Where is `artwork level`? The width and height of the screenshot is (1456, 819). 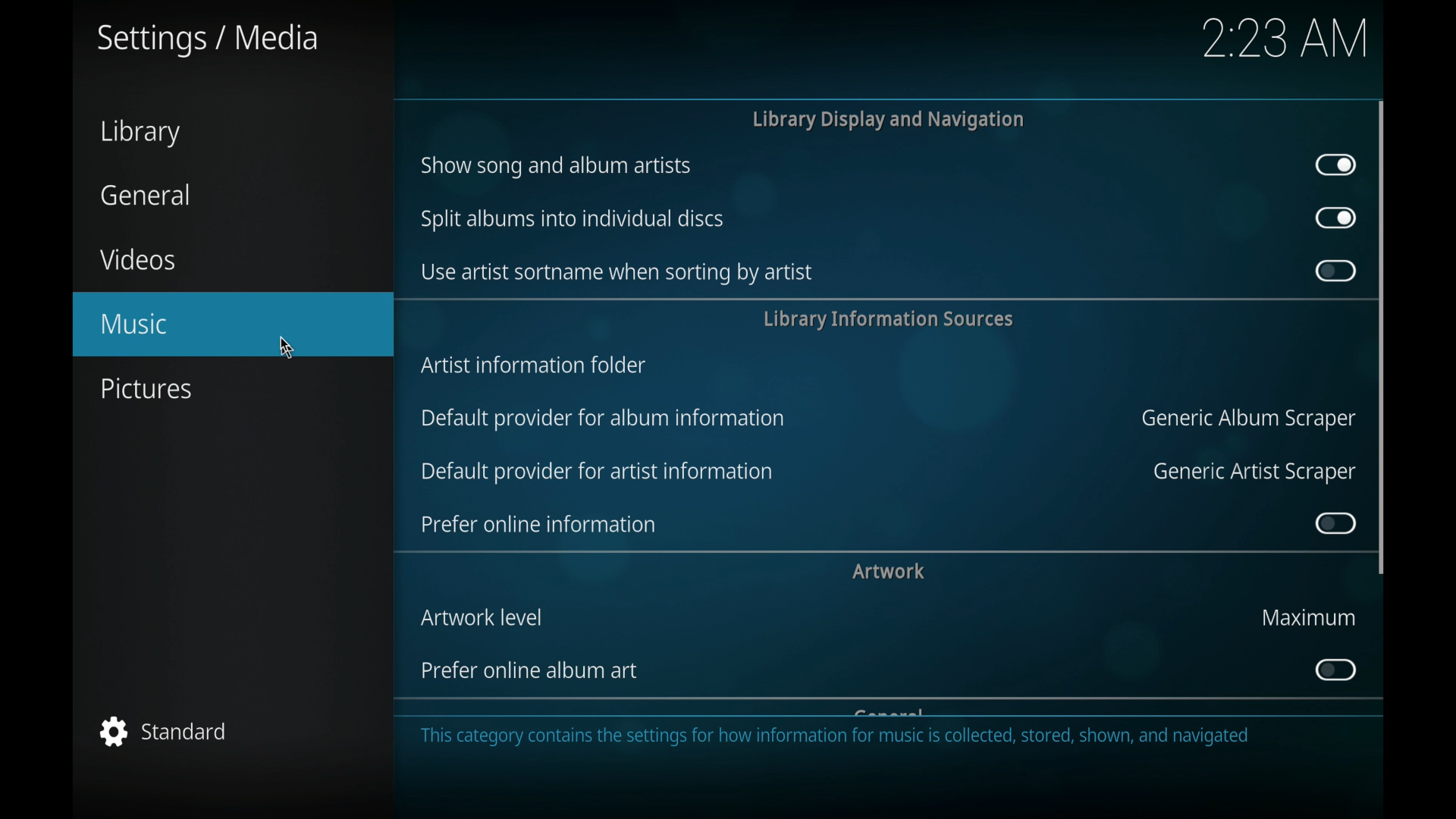 artwork level is located at coordinates (482, 617).